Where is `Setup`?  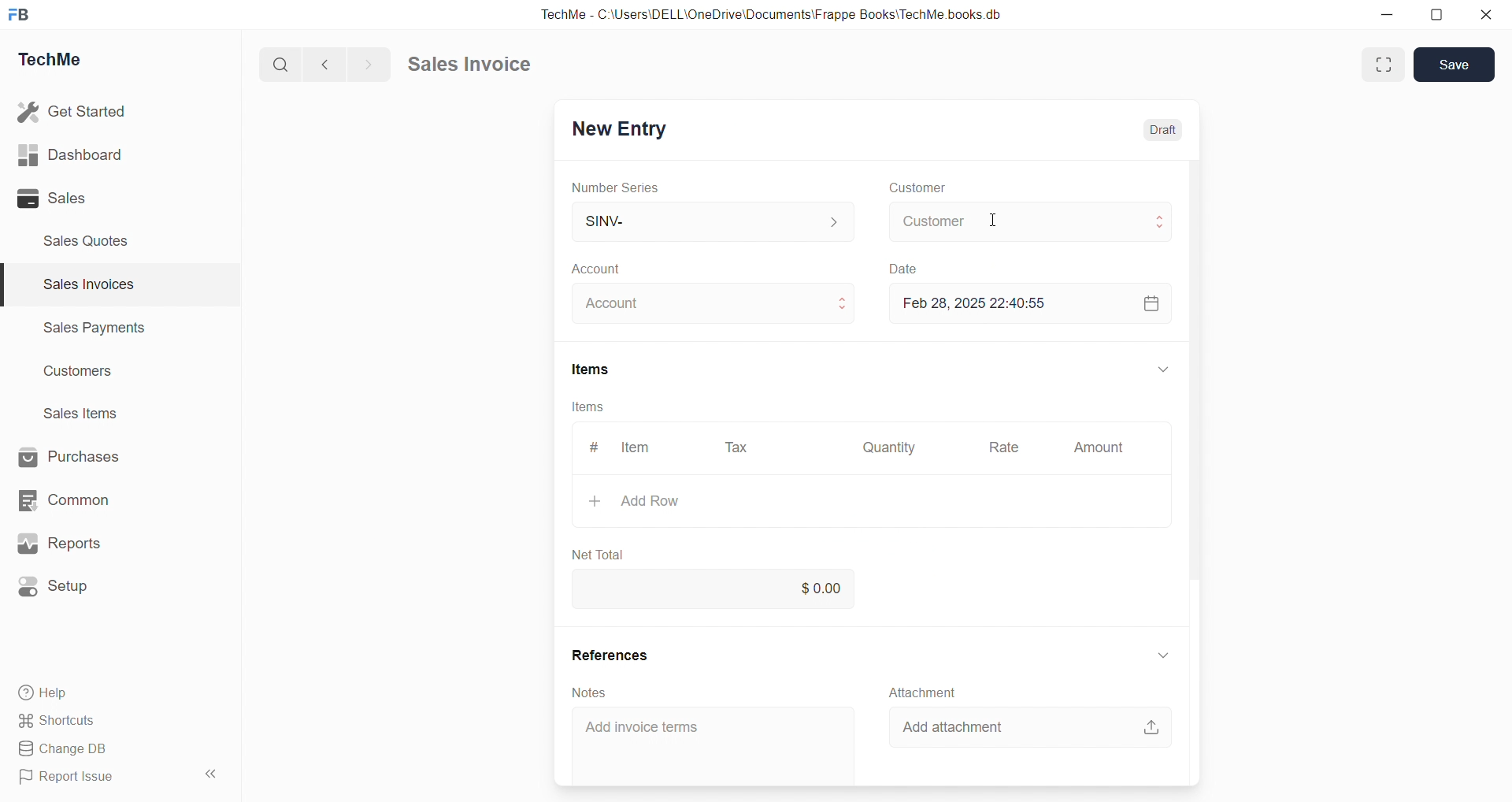
Setup is located at coordinates (55, 587).